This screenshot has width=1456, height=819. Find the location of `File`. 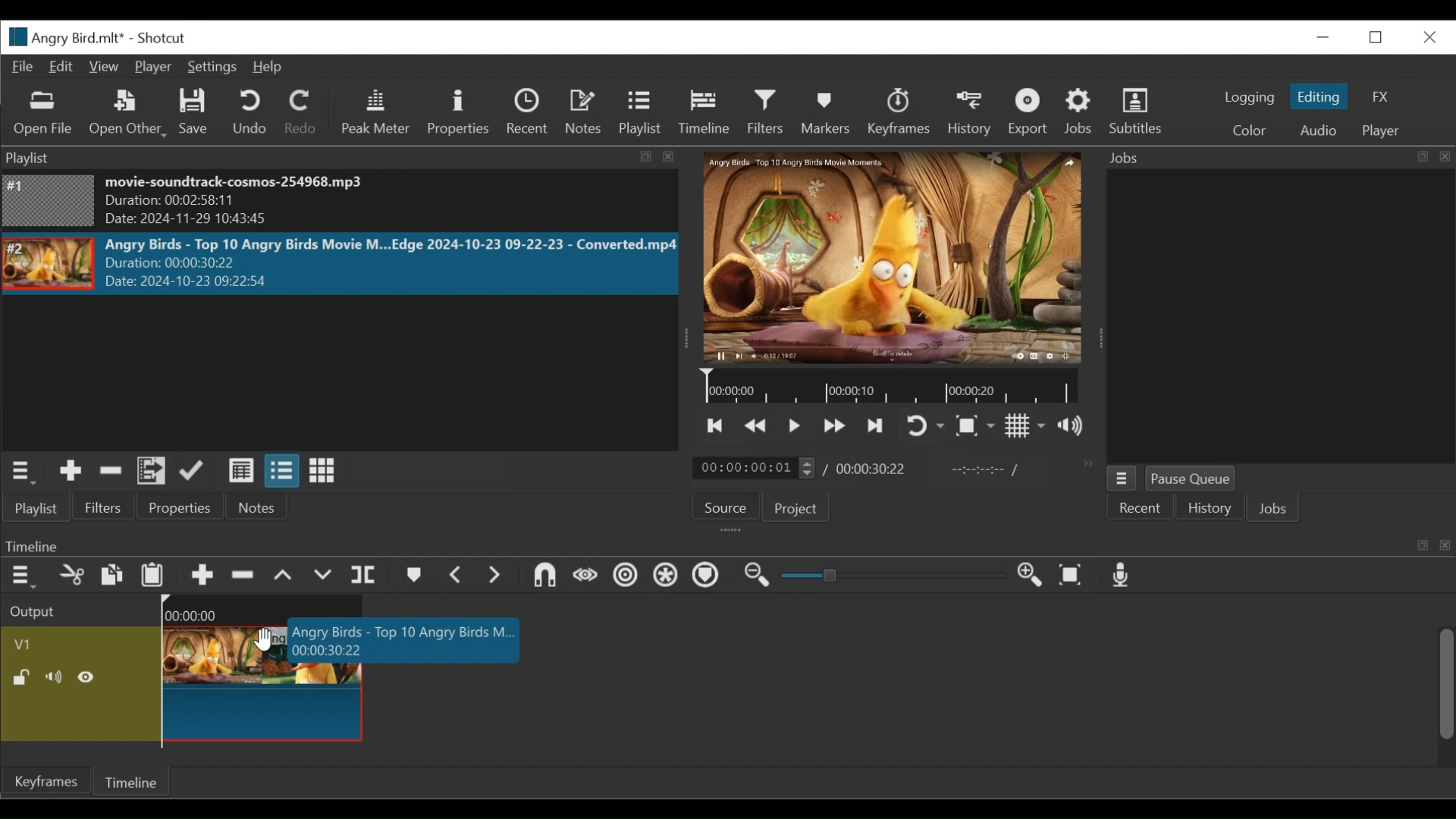

File is located at coordinates (24, 66).